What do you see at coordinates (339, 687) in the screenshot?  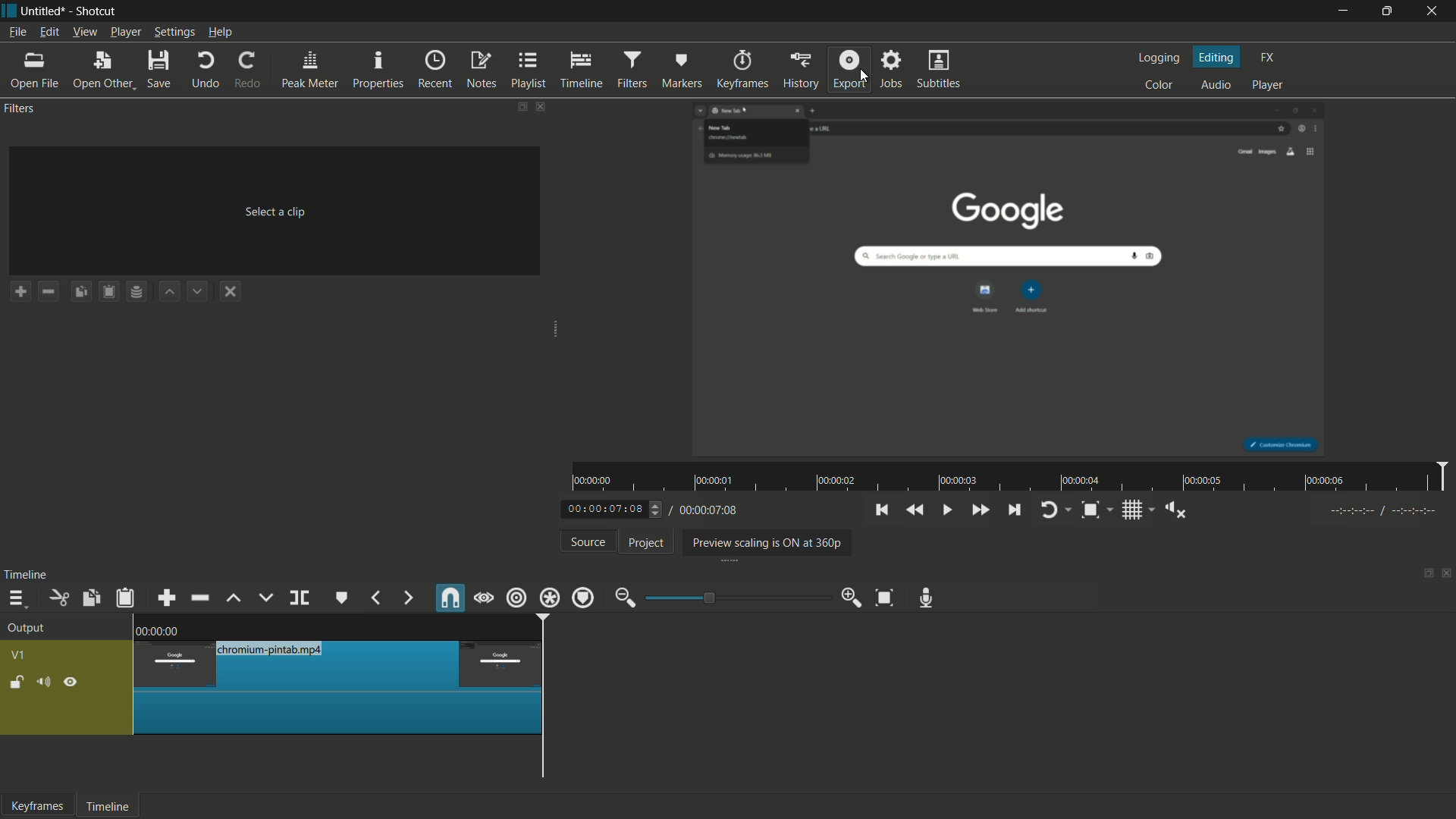 I see `only this segment is left now` at bounding box center [339, 687].